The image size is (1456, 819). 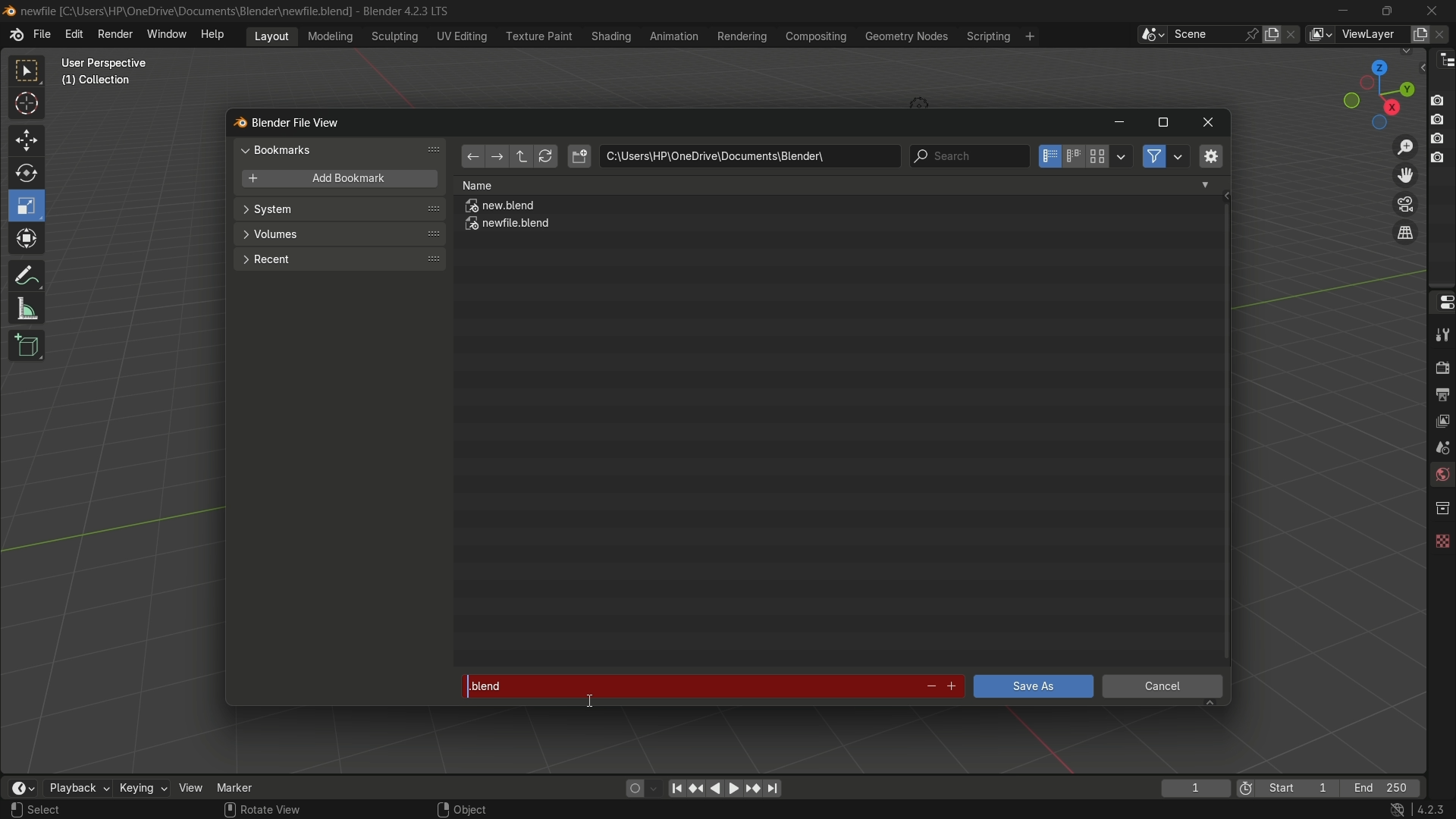 What do you see at coordinates (1418, 33) in the screenshot?
I see `add view layer` at bounding box center [1418, 33].